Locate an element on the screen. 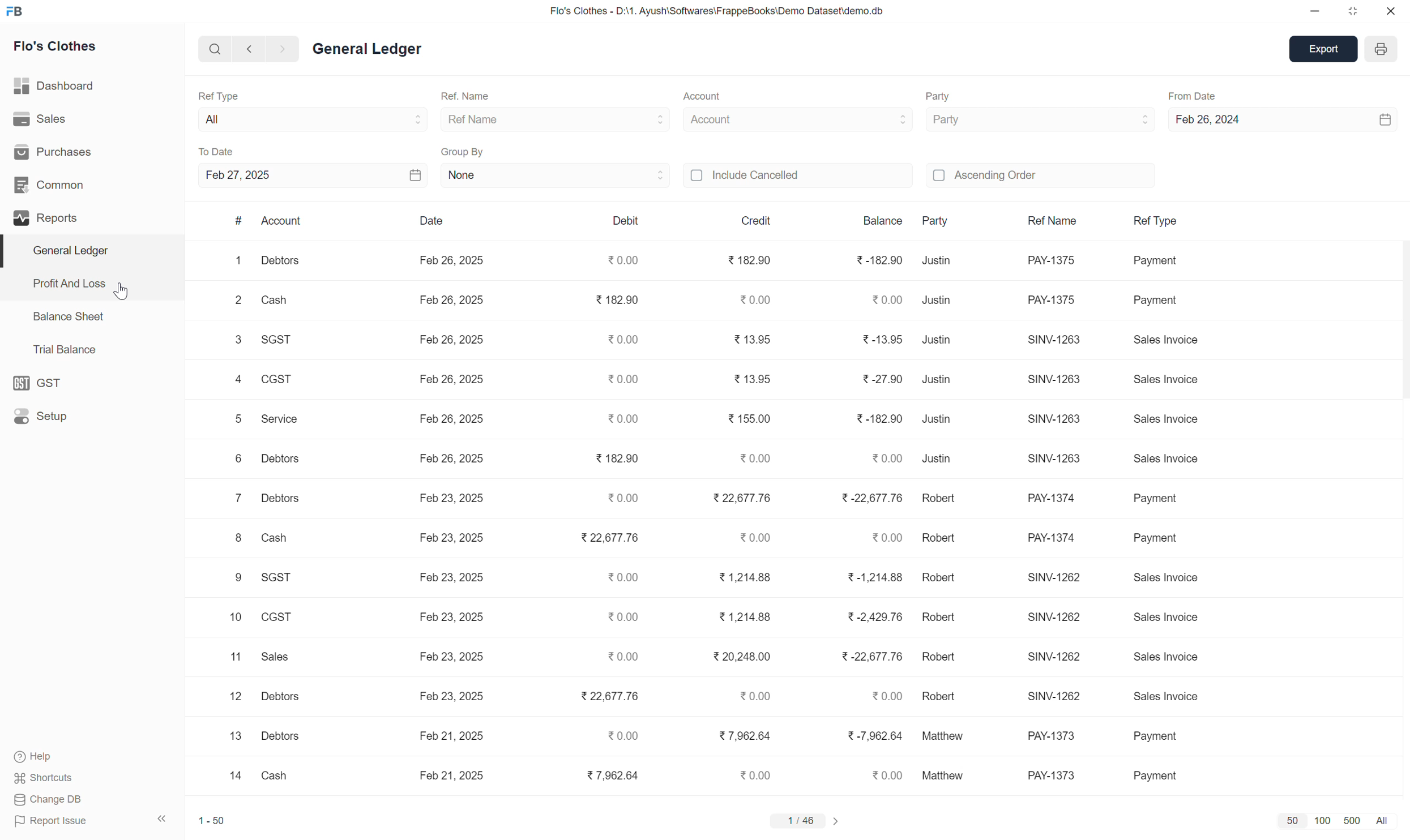  Feb 27, 2025 is located at coordinates (252, 174).